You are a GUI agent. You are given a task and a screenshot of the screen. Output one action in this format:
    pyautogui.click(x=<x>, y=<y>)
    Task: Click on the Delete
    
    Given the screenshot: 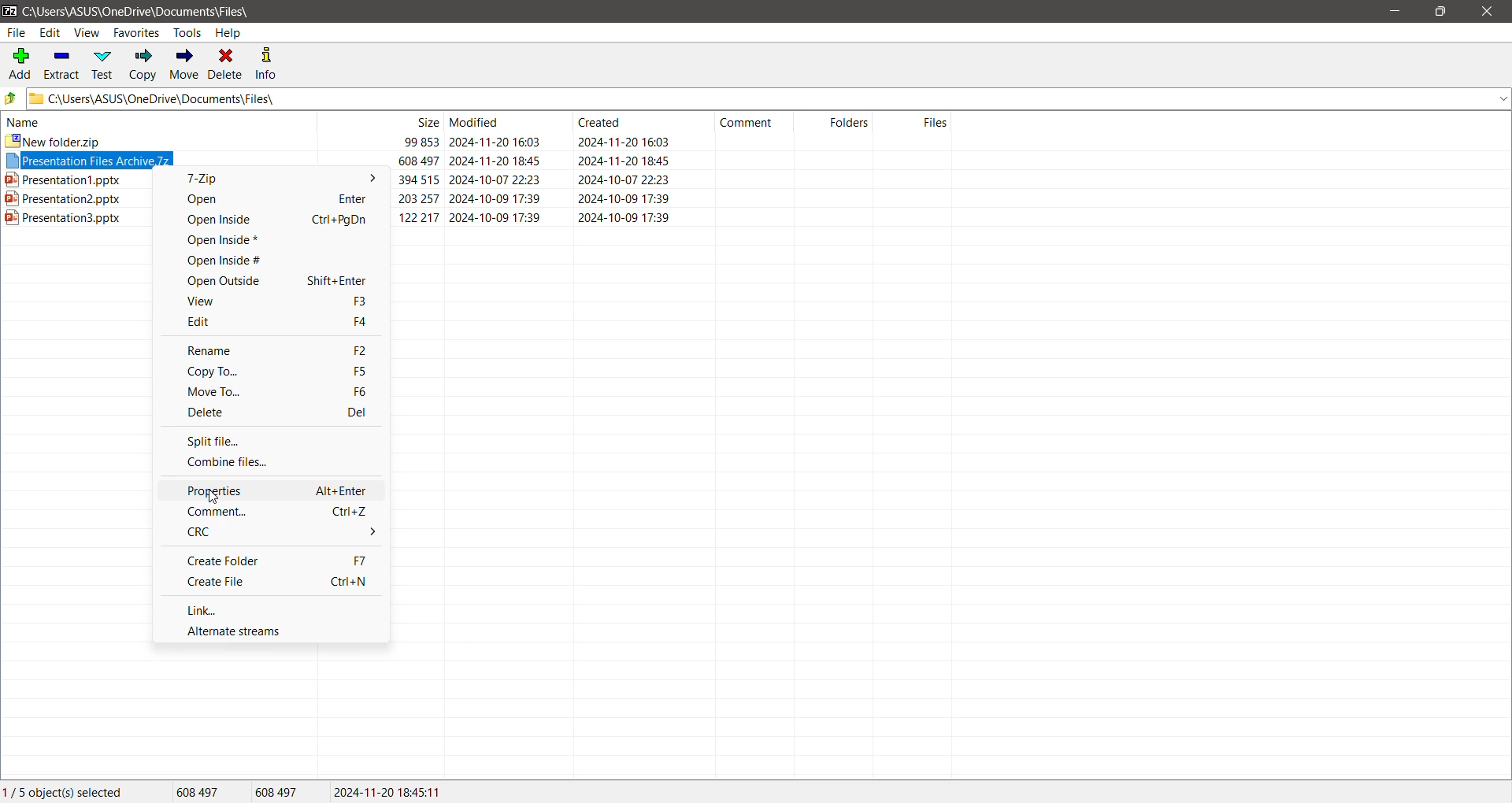 What is the action you would take?
    pyautogui.click(x=225, y=65)
    